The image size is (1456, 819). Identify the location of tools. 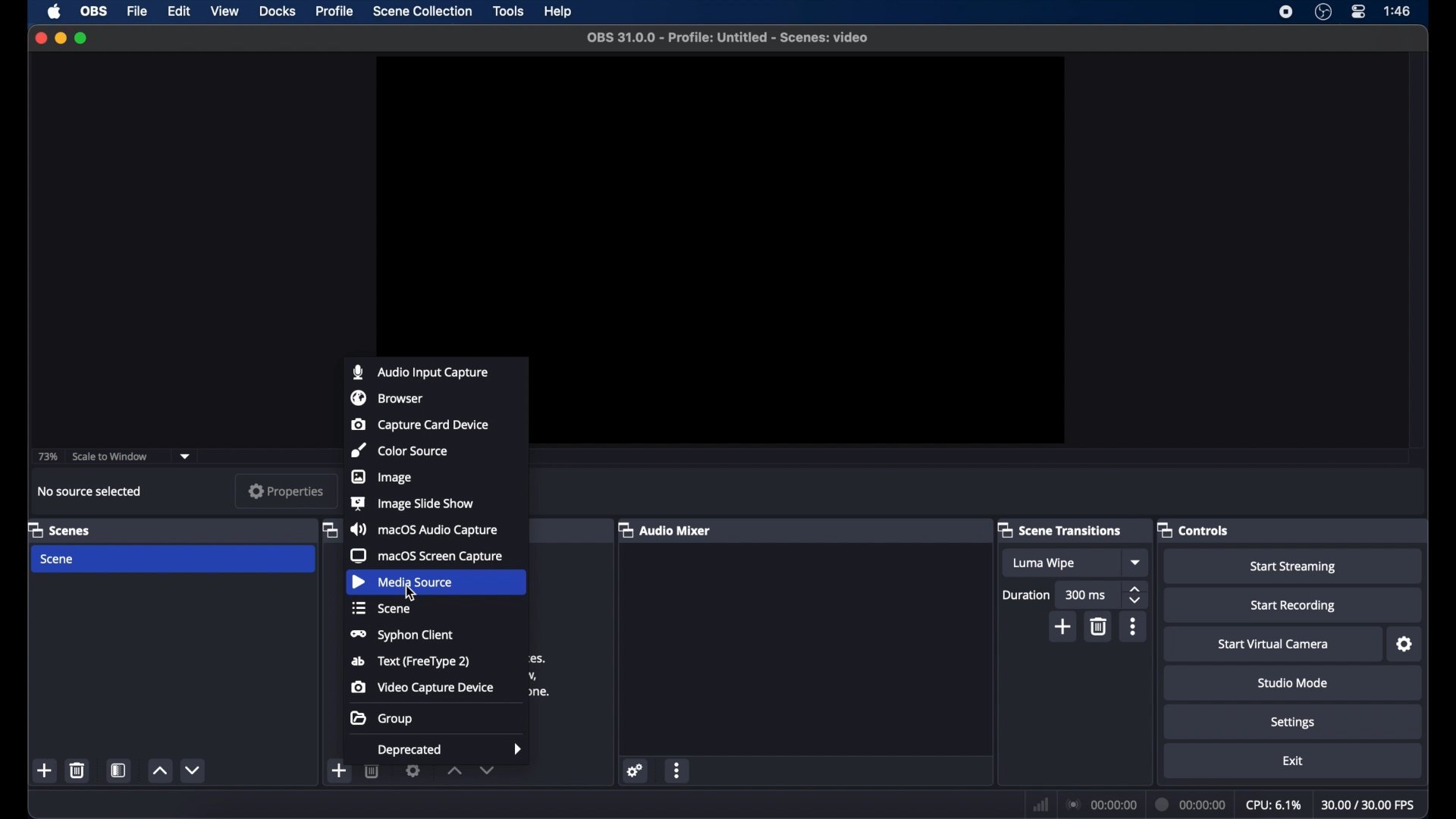
(510, 10).